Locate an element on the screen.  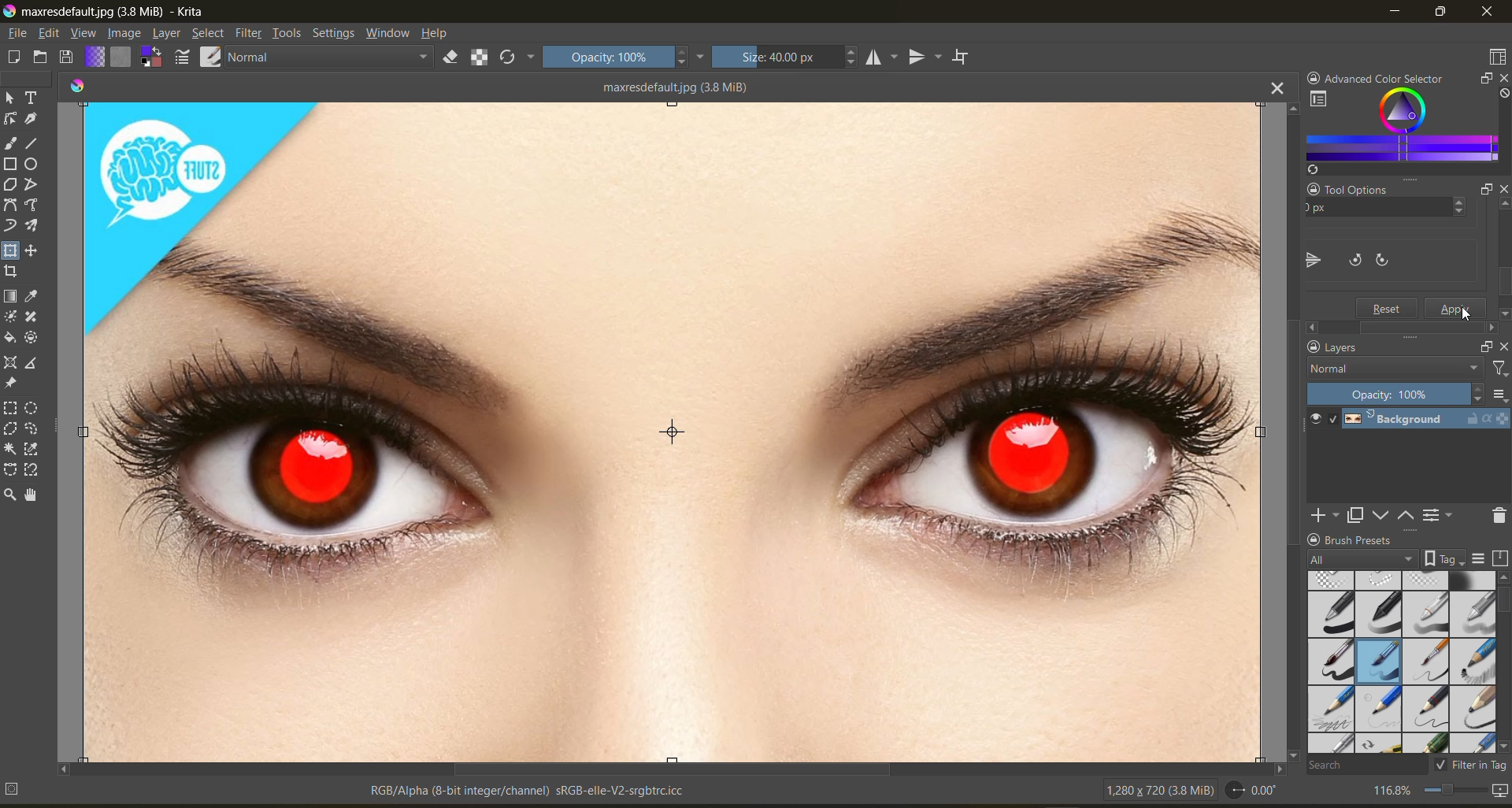
tool is located at coordinates (33, 450).